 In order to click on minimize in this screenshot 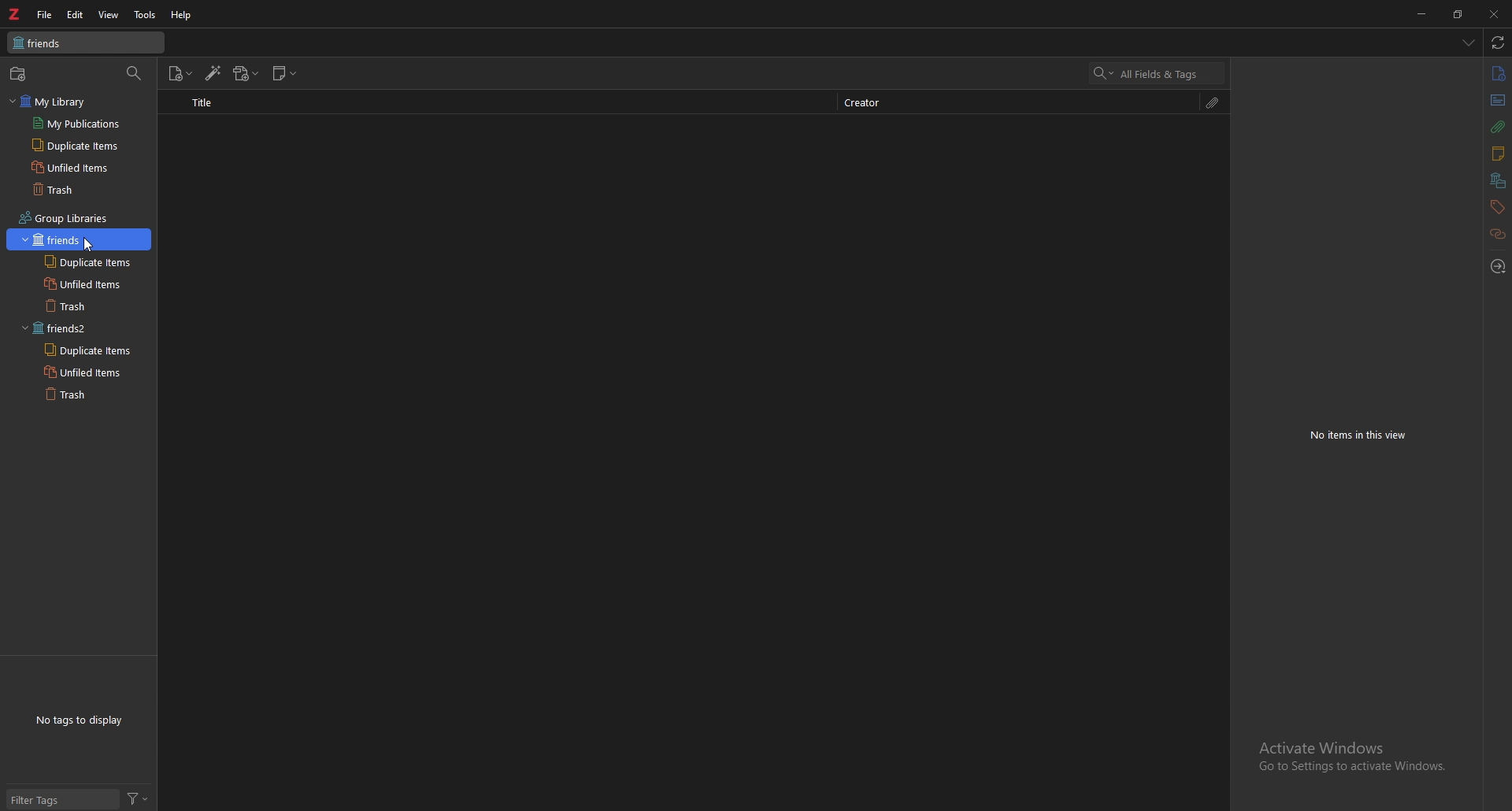, I will do `click(1420, 15)`.